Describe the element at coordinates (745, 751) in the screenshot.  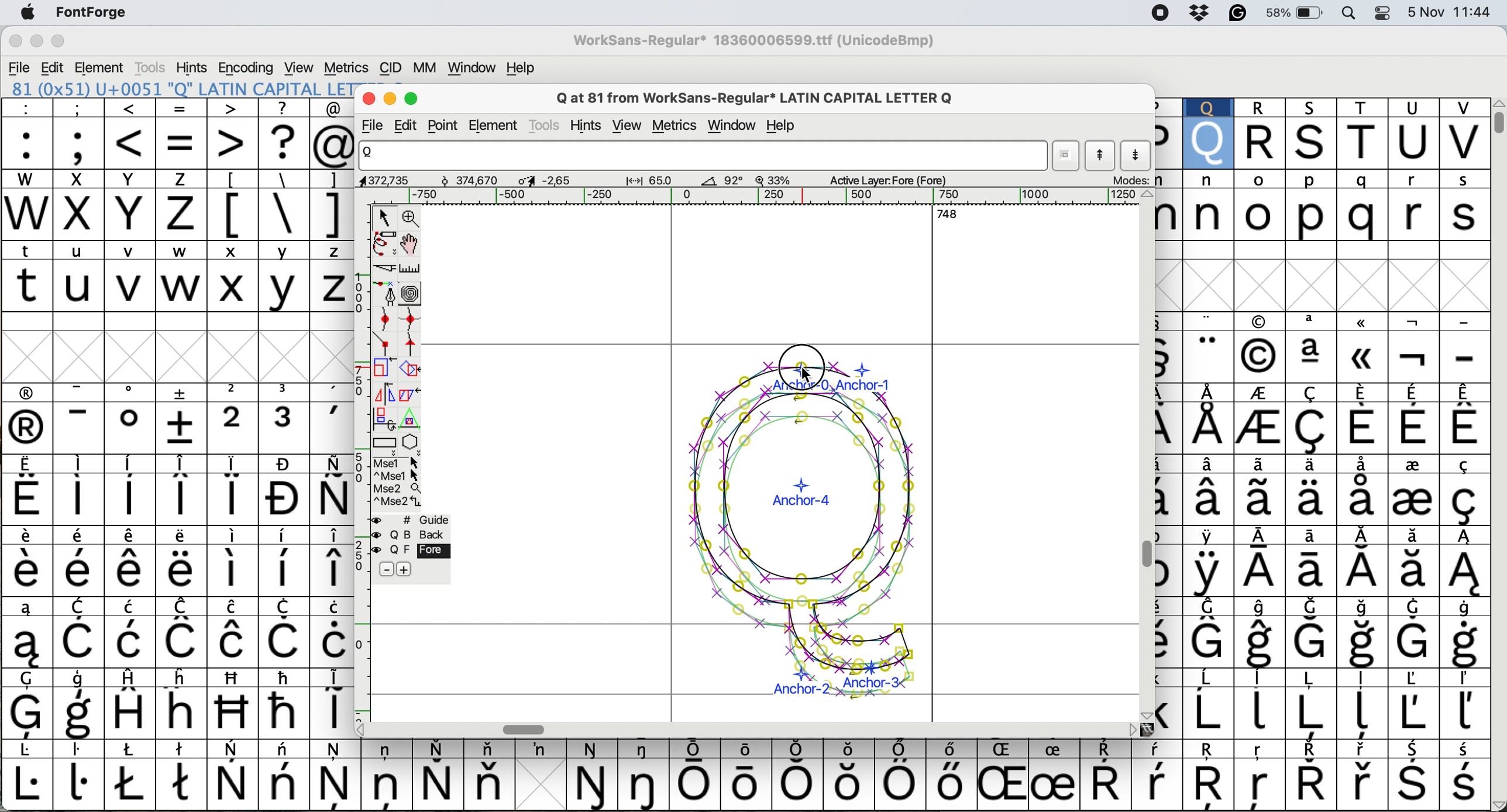
I see `text` at that location.